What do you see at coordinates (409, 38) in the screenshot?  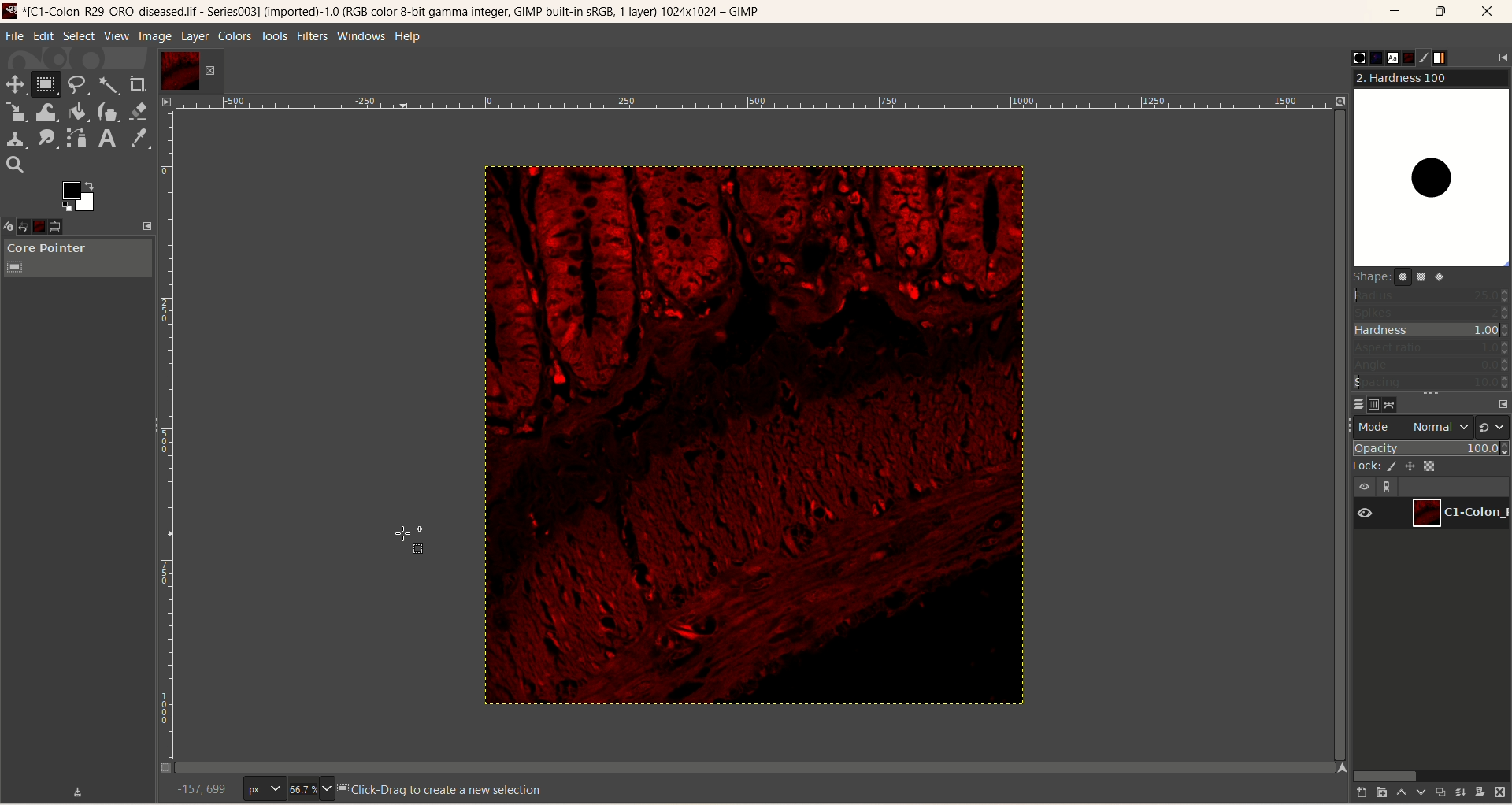 I see `help` at bounding box center [409, 38].